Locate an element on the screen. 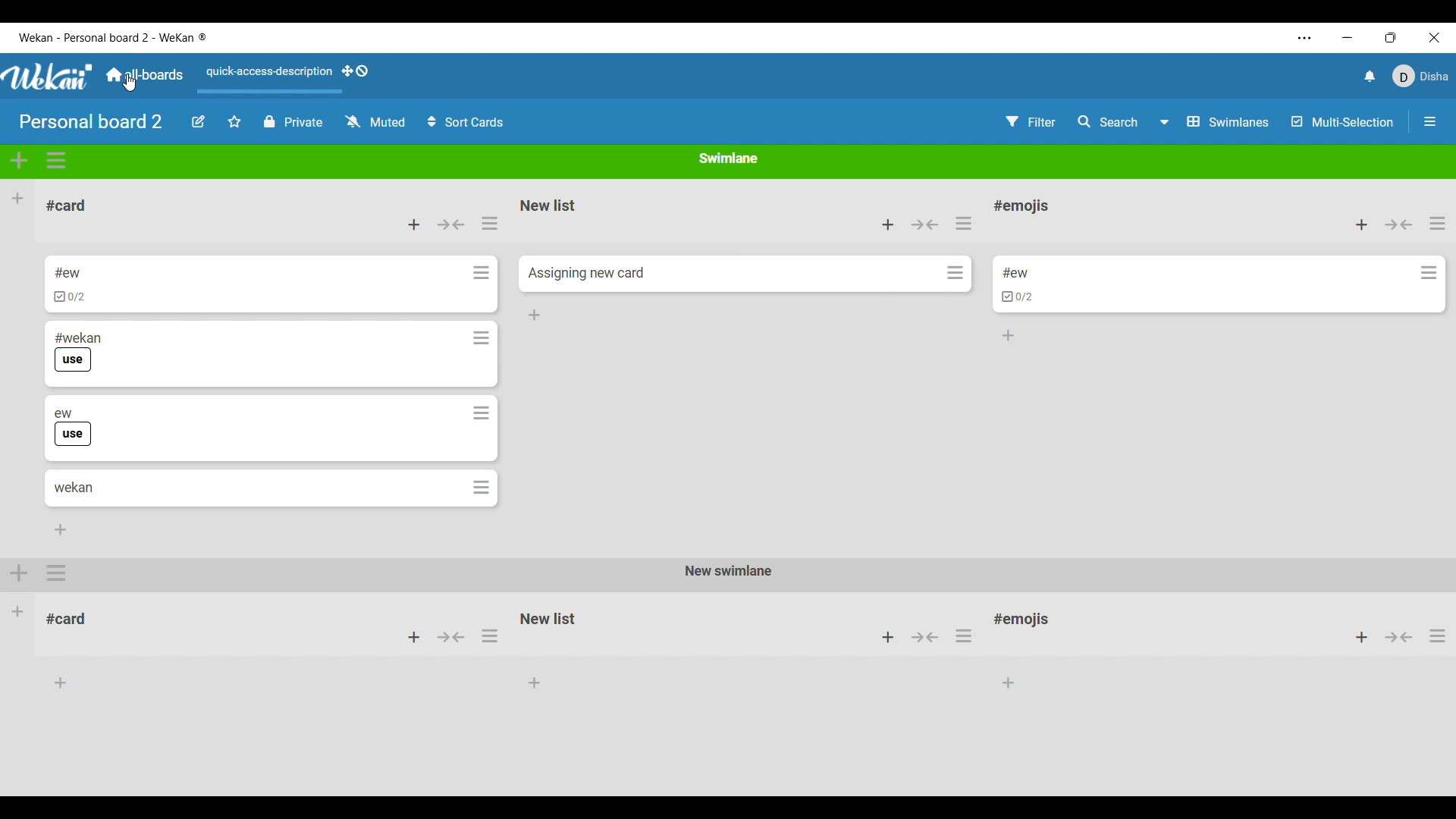 This screenshot has height=819, width=1456. Star current board is located at coordinates (234, 121).